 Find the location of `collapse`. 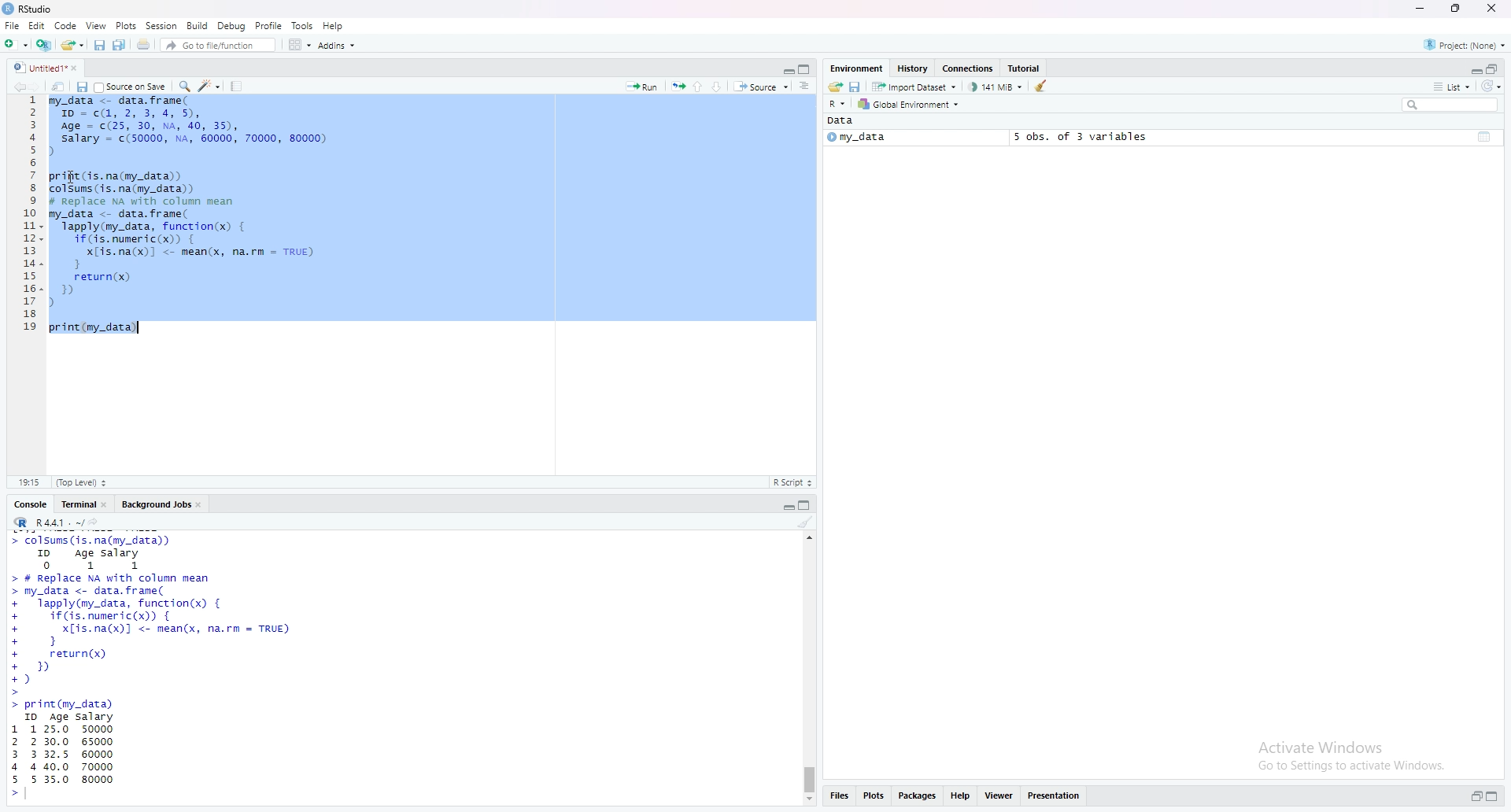

collapse is located at coordinates (1485, 135).